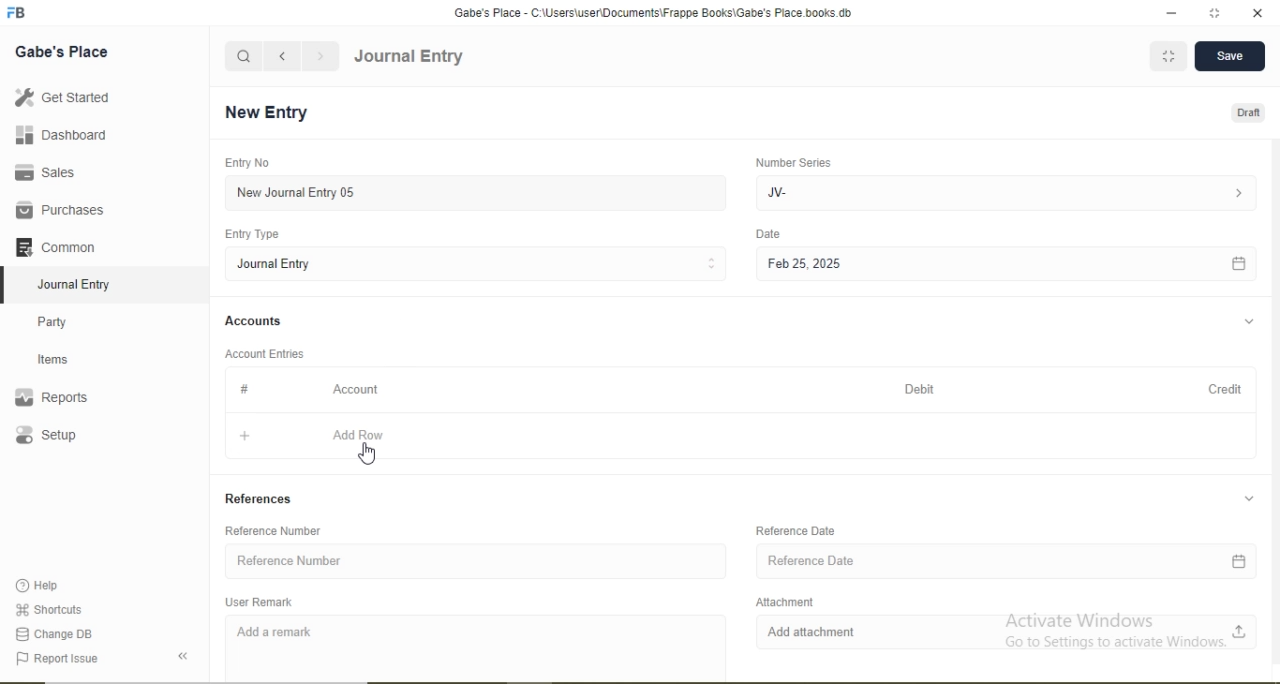 The image size is (1280, 684). What do you see at coordinates (244, 56) in the screenshot?
I see `search` at bounding box center [244, 56].